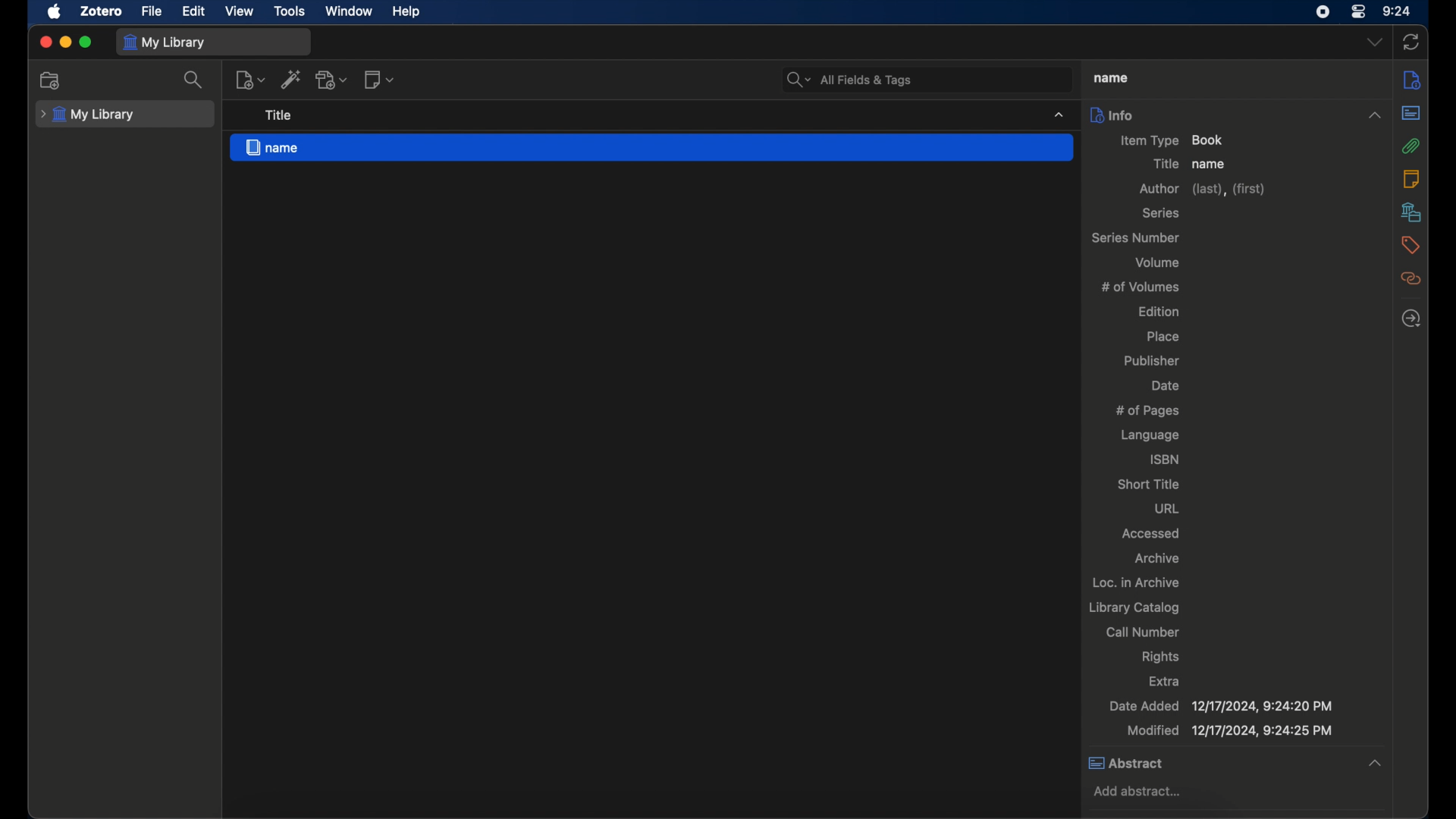 Image resolution: width=1456 pixels, height=819 pixels. Describe the element at coordinates (1414, 319) in the screenshot. I see `locate` at that location.